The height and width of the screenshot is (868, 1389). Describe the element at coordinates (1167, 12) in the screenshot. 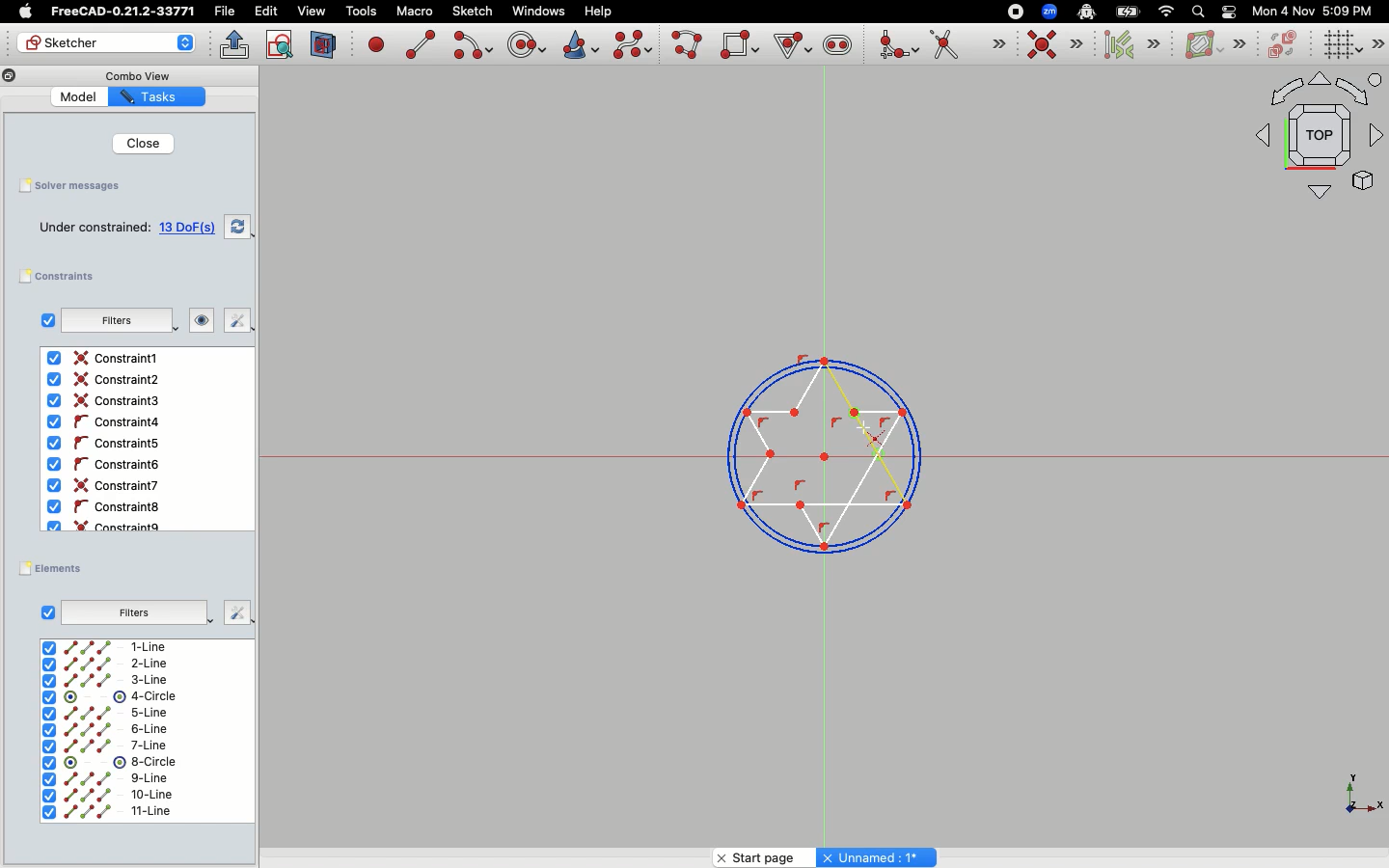

I see `Network` at that location.